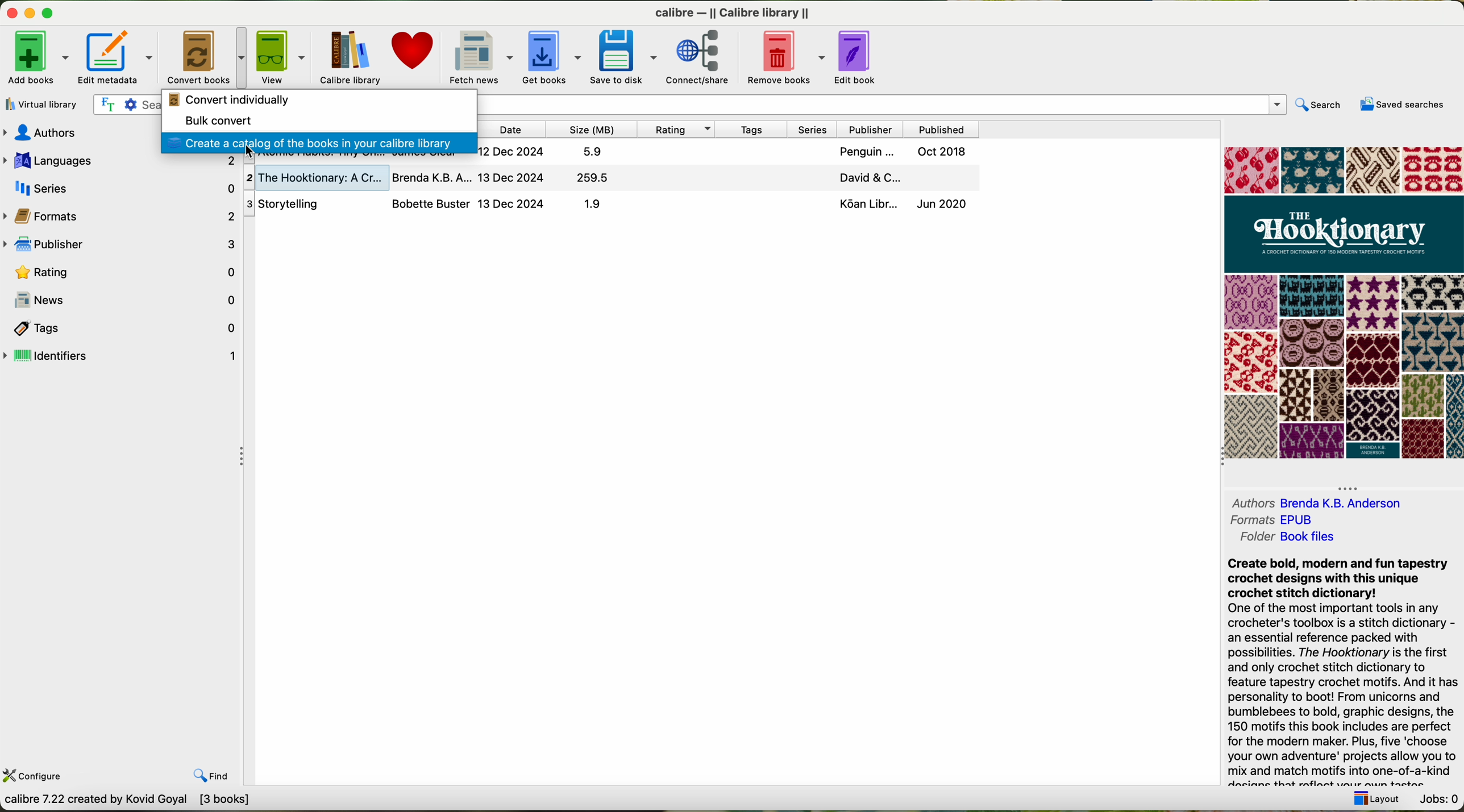 The image size is (1464, 812). Describe the element at coordinates (282, 56) in the screenshot. I see `view` at that location.